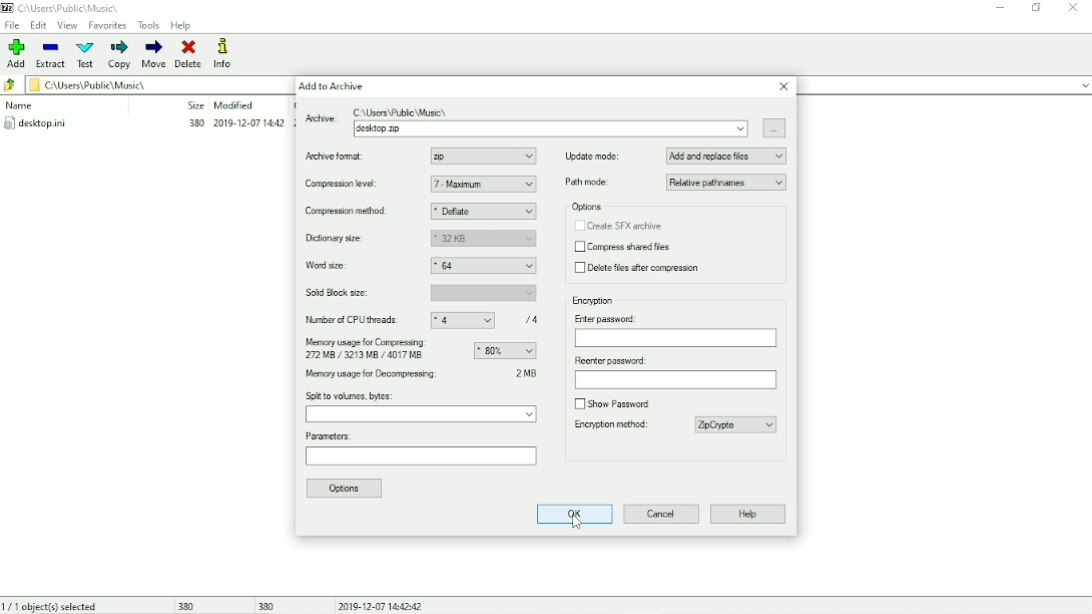 This screenshot has width=1092, height=614. What do you see at coordinates (86, 55) in the screenshot?
I see `Test` at bounding box center [86, 55].